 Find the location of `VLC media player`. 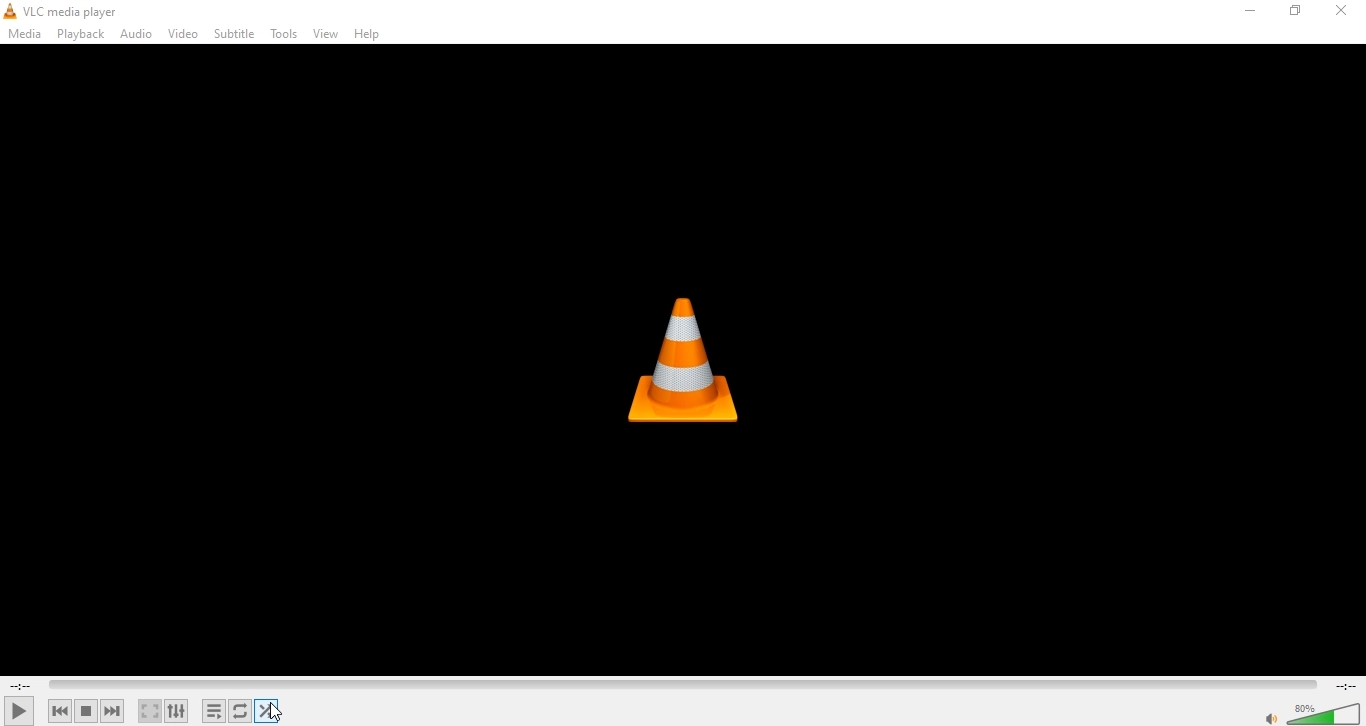

VLC media player is located at coordinates (62, 11).